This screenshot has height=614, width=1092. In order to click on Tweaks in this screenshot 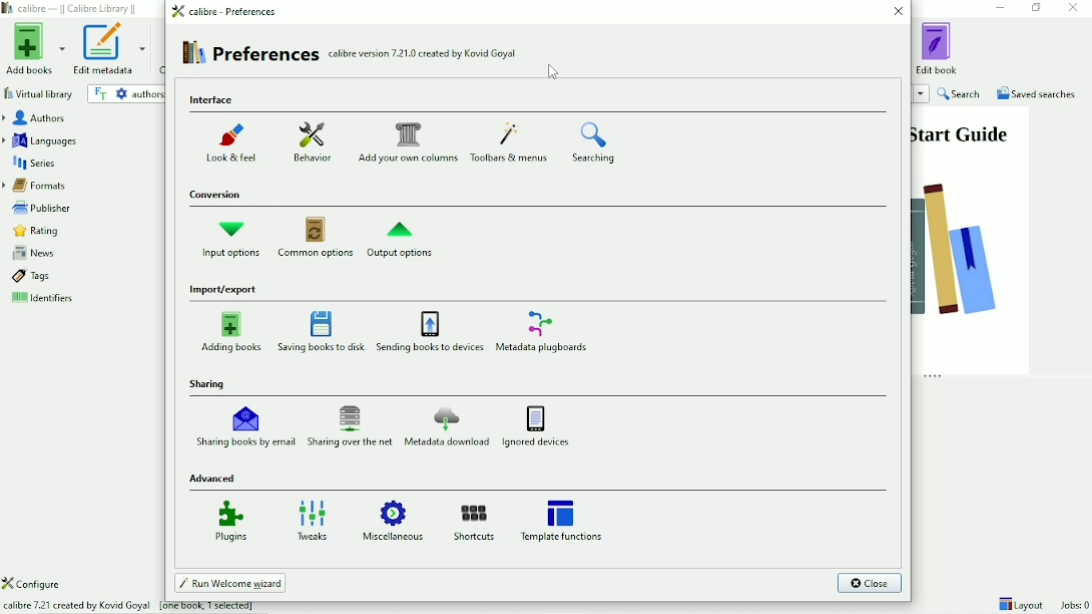, I will do `click(312, 518)`.